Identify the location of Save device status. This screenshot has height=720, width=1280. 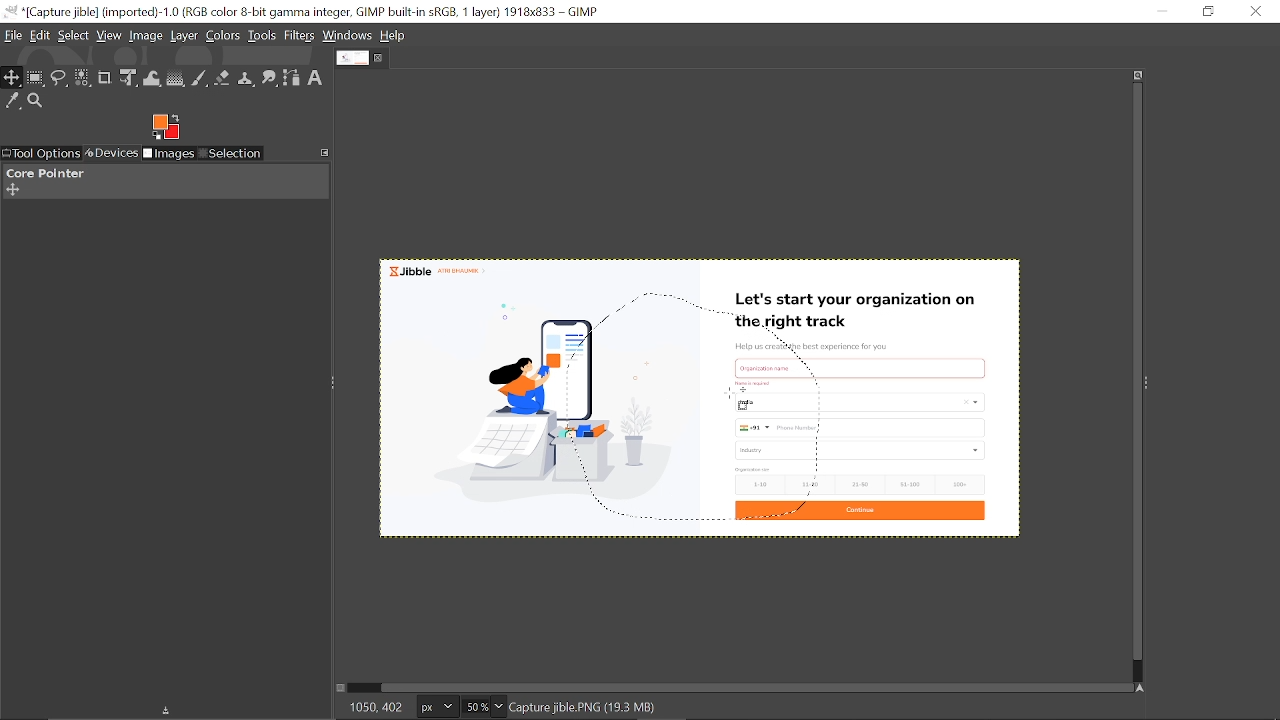
(170, 712).